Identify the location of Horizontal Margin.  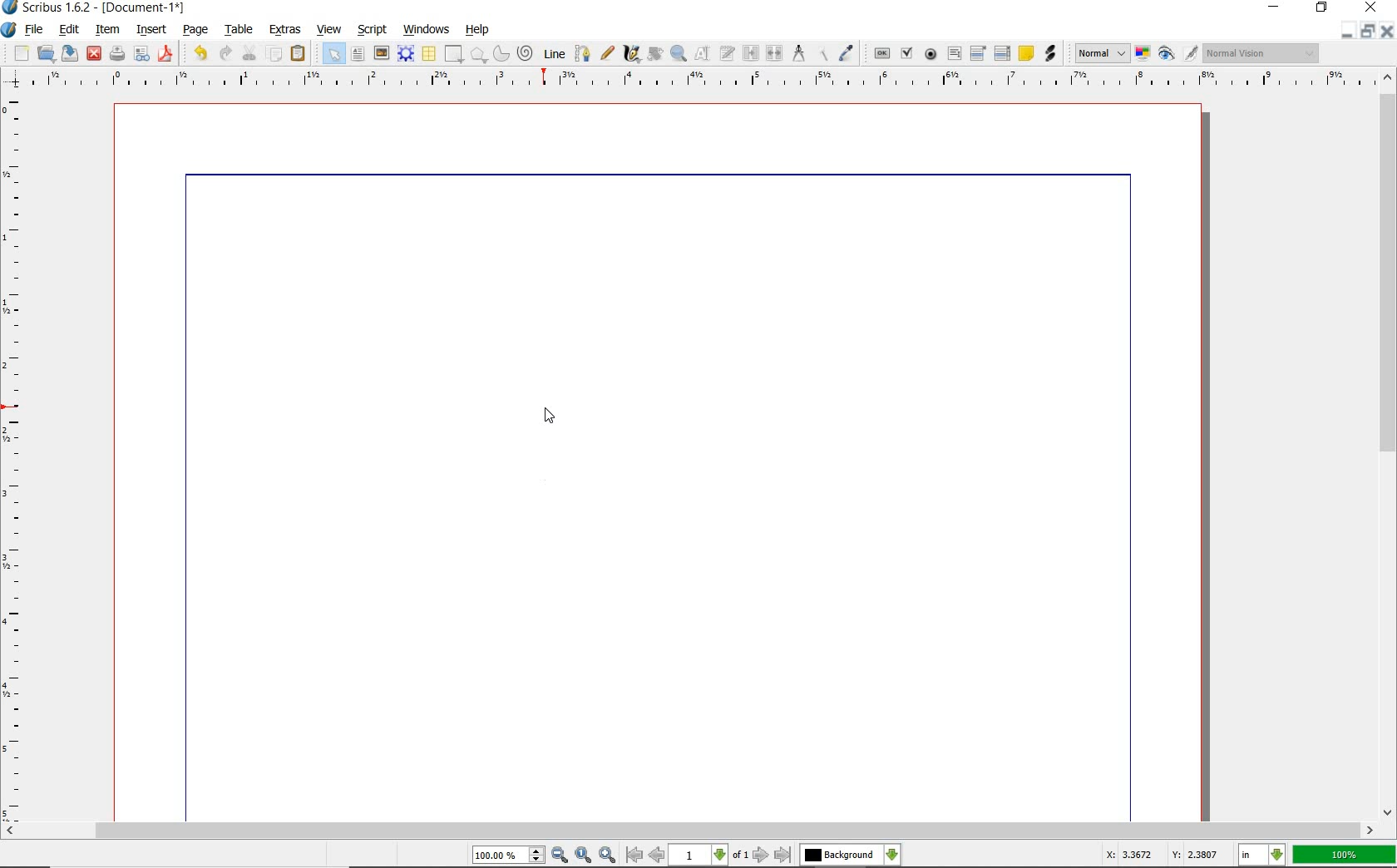
(700, 80).